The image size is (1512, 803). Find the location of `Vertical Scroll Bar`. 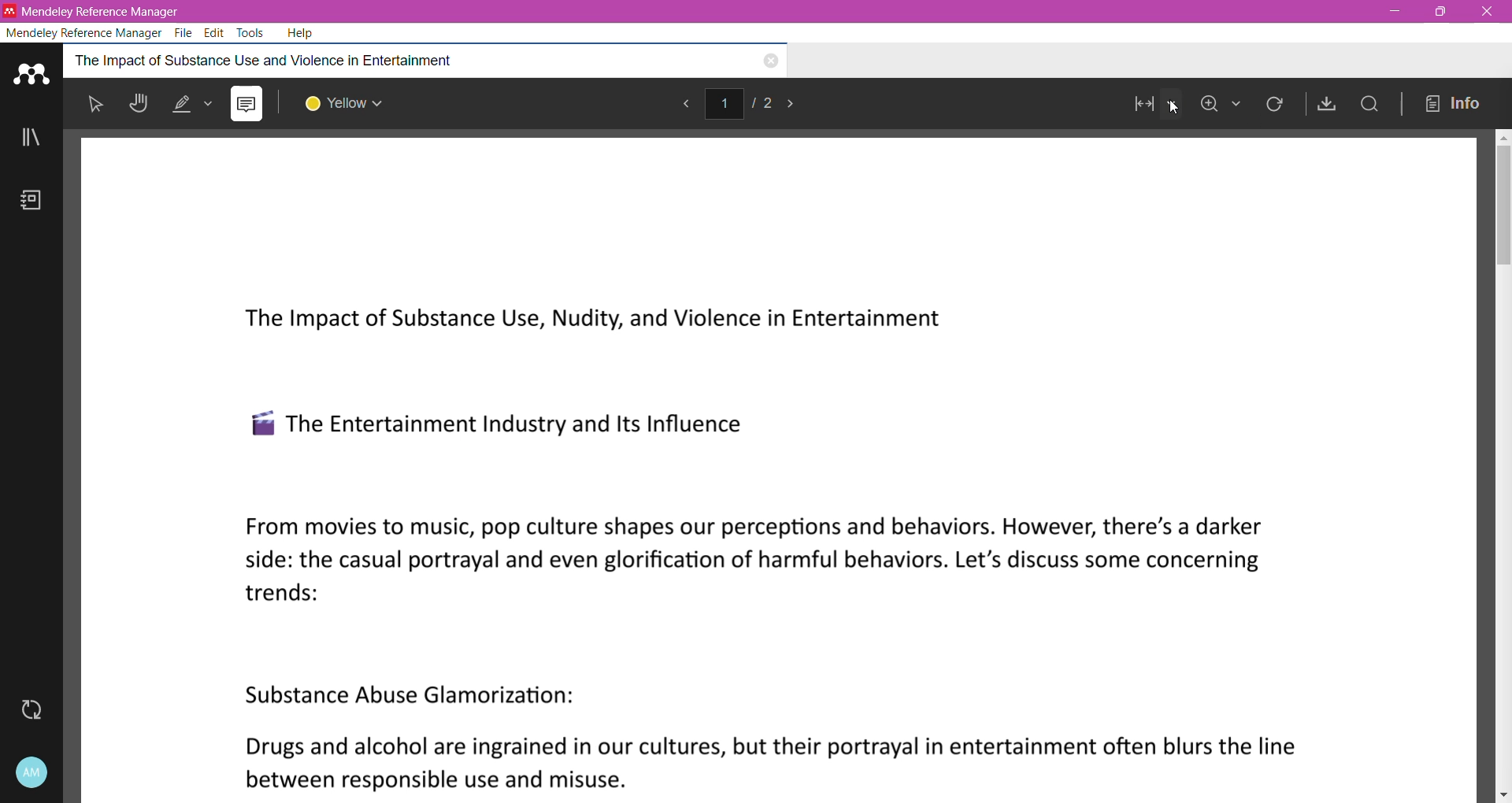

Vertical Scroll Bar is located at coordinates (1503, 464).